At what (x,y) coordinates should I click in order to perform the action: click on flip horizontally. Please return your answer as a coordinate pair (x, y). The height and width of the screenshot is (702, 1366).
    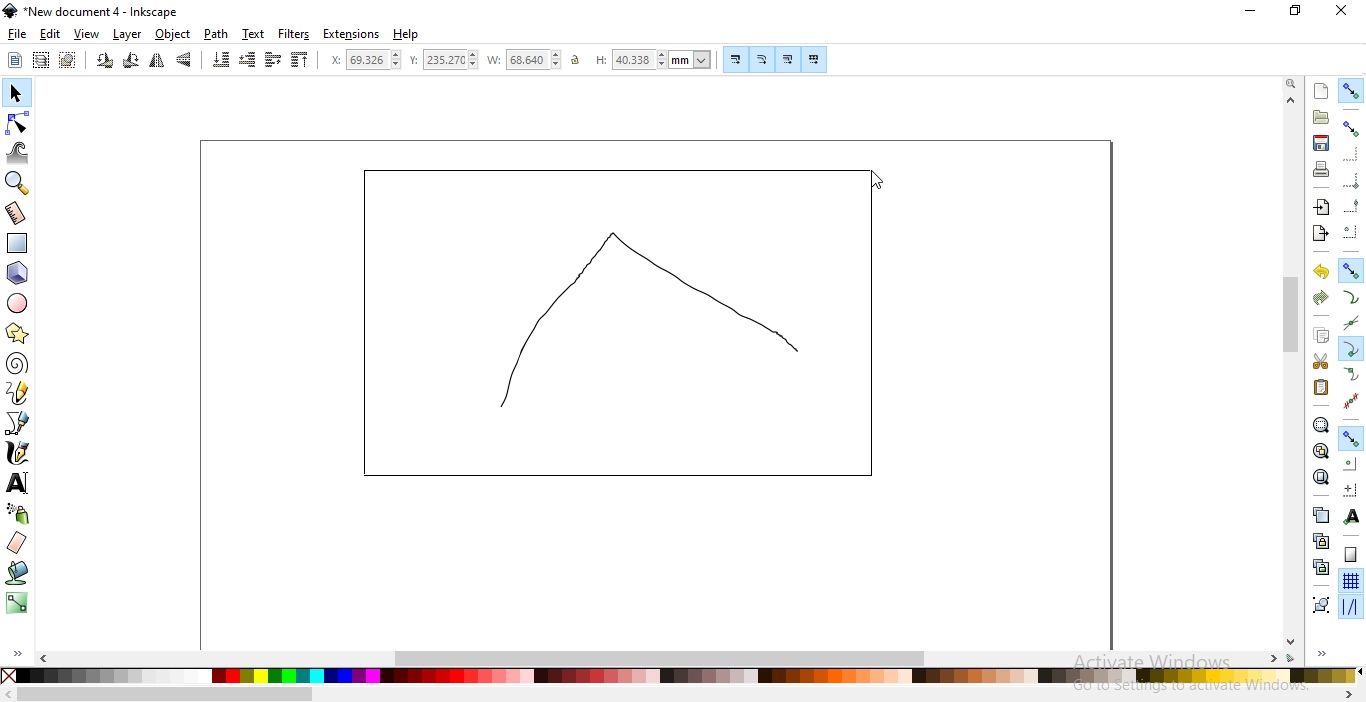
    Looking at the image, I should click on (156, 62).